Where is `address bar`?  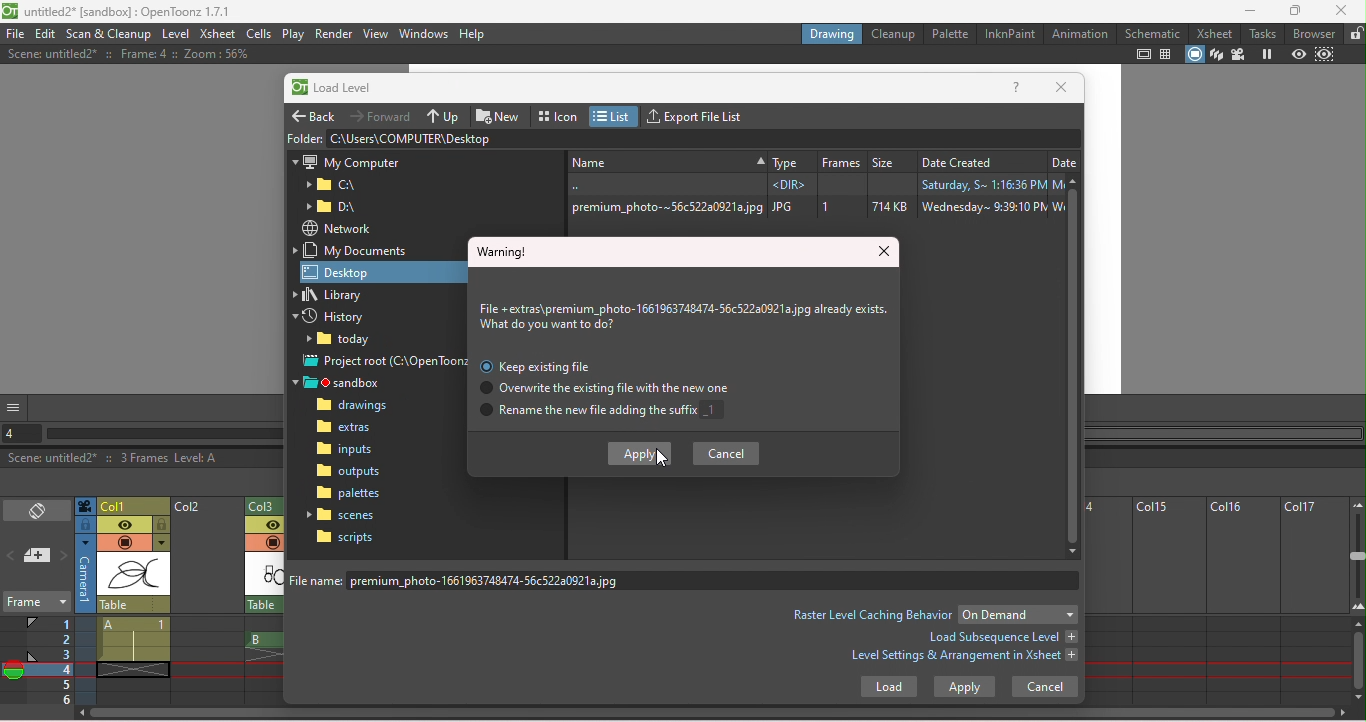 address bar is located at coordinates (703, 138).